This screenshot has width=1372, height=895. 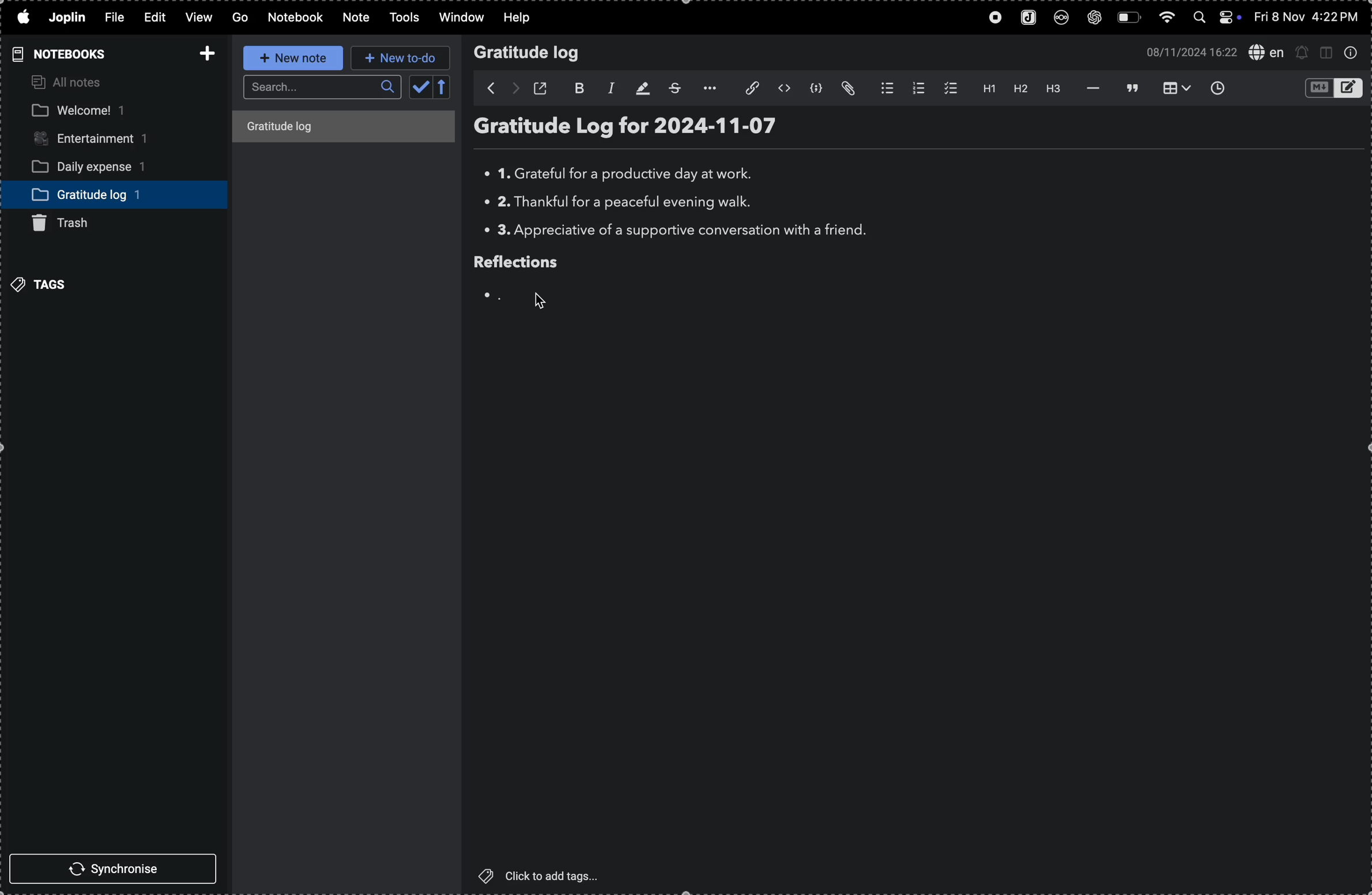 I want to click on log date, so click(x=733, y=126).